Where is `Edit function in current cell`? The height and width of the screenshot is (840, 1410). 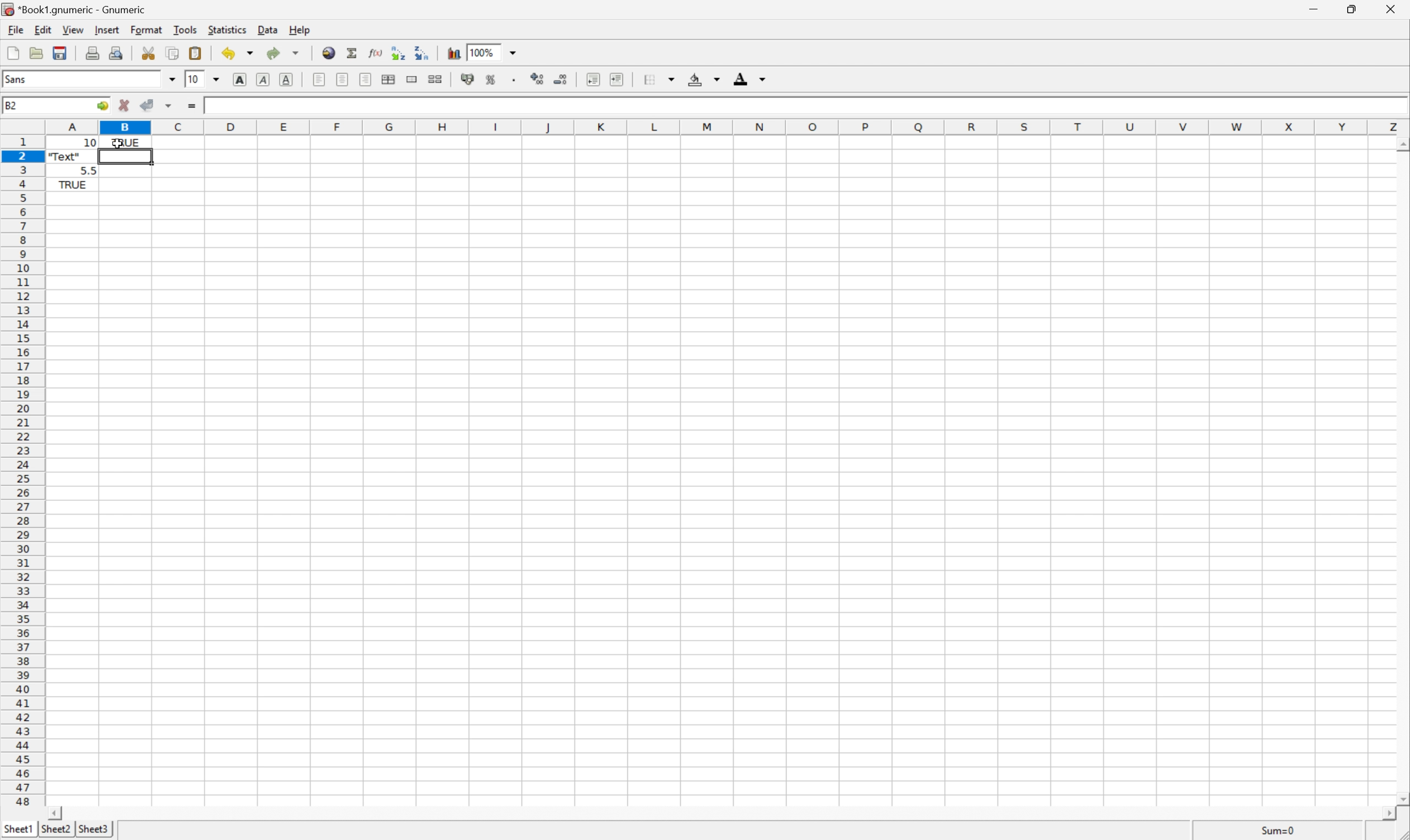
Edit function in current cell is located at coordinates (377, 53).